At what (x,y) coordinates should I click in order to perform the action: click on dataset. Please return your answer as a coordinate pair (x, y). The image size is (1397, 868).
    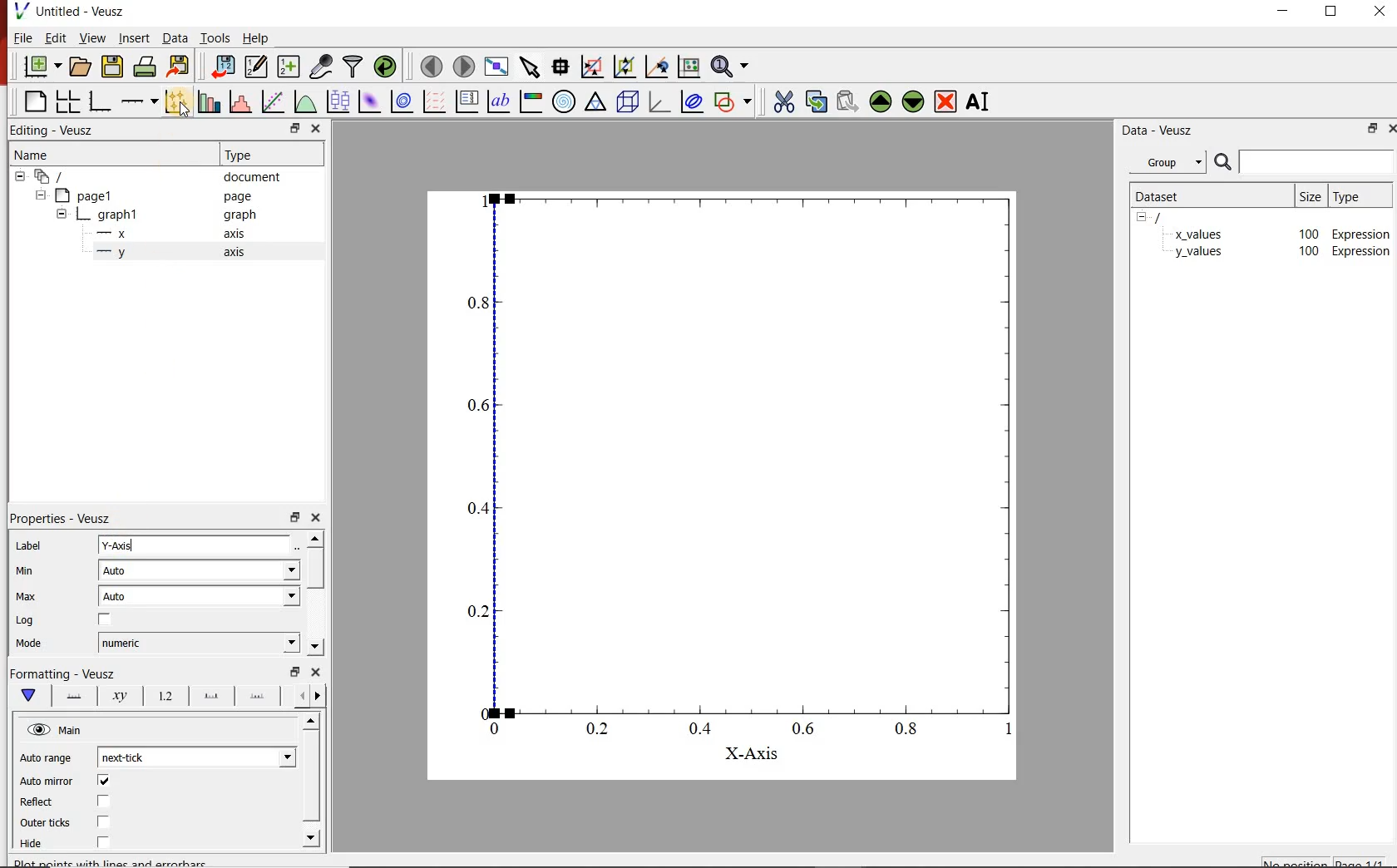
    Looking at the image, I should click on (1170, 196).